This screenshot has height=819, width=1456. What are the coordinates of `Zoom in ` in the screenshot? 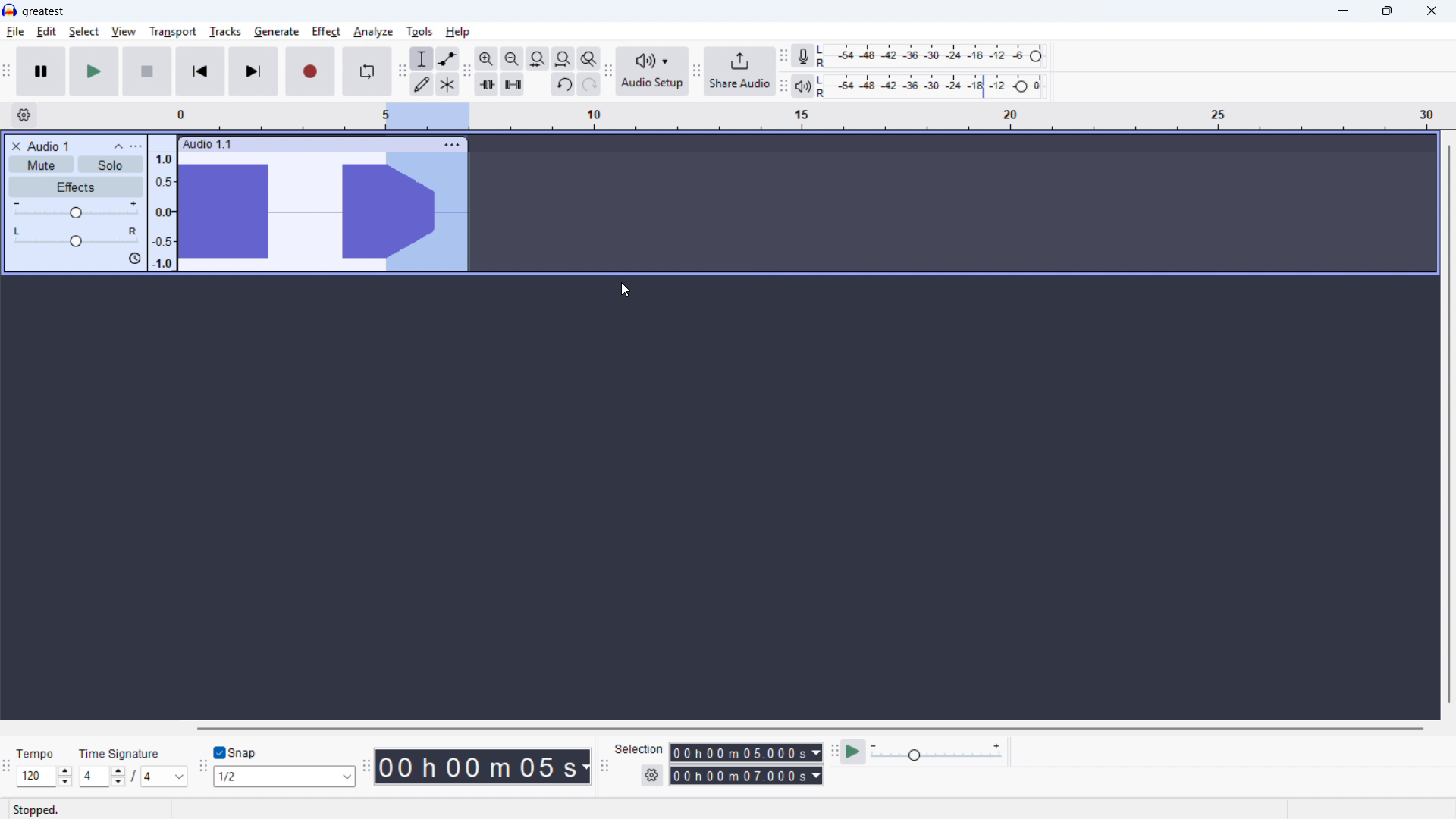 It's located at (487, 58).